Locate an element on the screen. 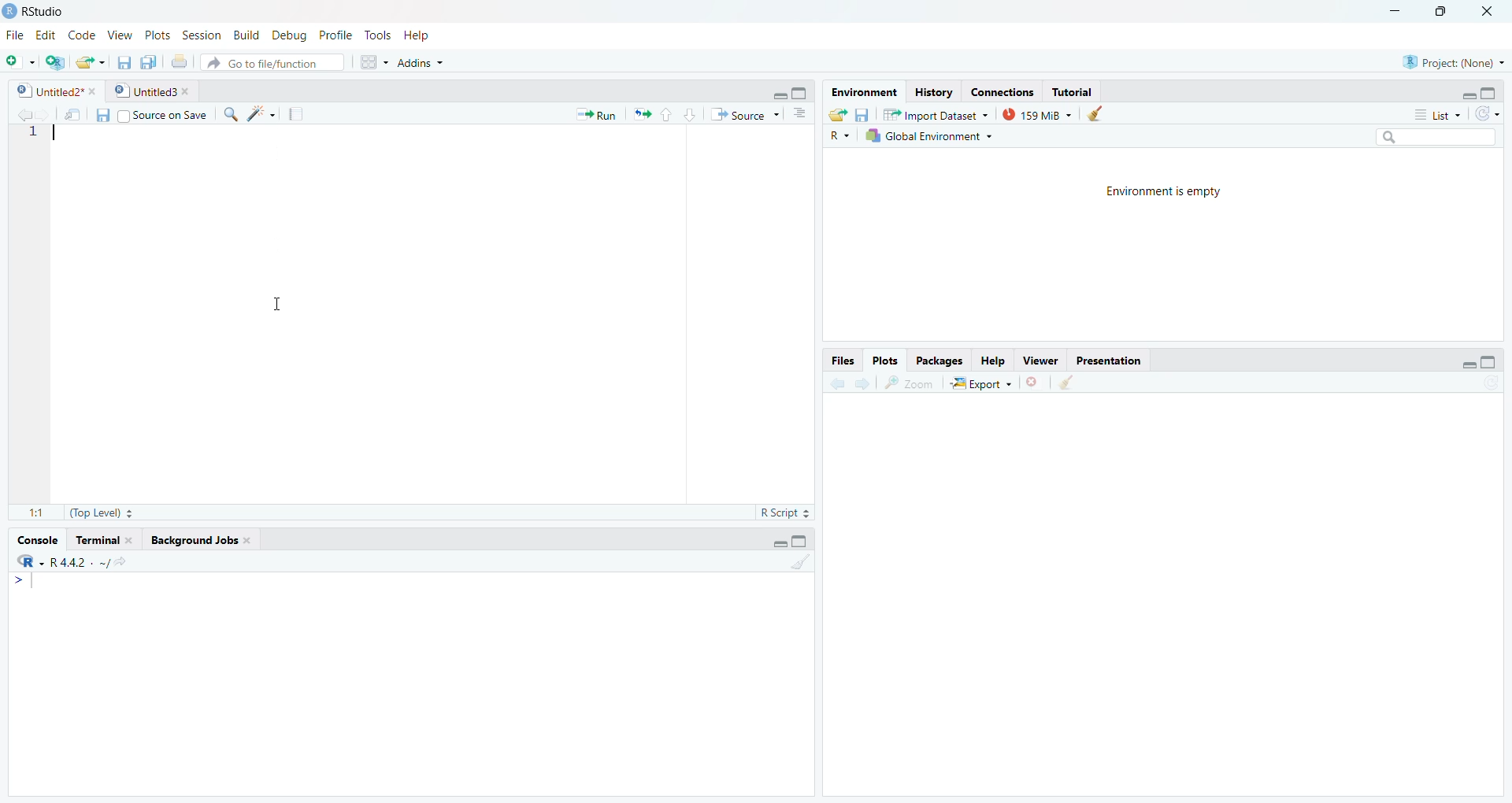 The image size is (1512, 803). Run is located at coordinates (595, 115).